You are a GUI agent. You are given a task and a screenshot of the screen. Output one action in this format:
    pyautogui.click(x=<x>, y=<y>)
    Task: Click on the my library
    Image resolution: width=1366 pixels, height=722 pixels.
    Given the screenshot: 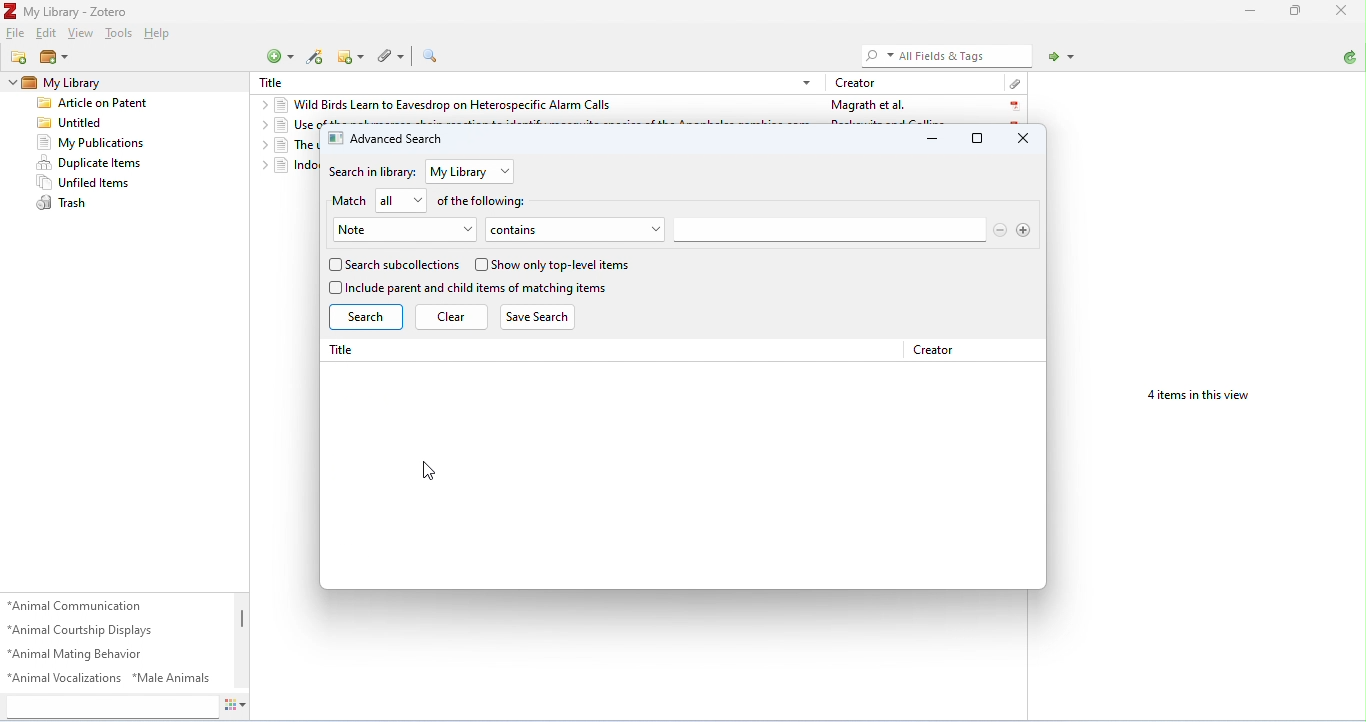 What is the action you would take?
    pyautogui.click(x=460, y=172)
    